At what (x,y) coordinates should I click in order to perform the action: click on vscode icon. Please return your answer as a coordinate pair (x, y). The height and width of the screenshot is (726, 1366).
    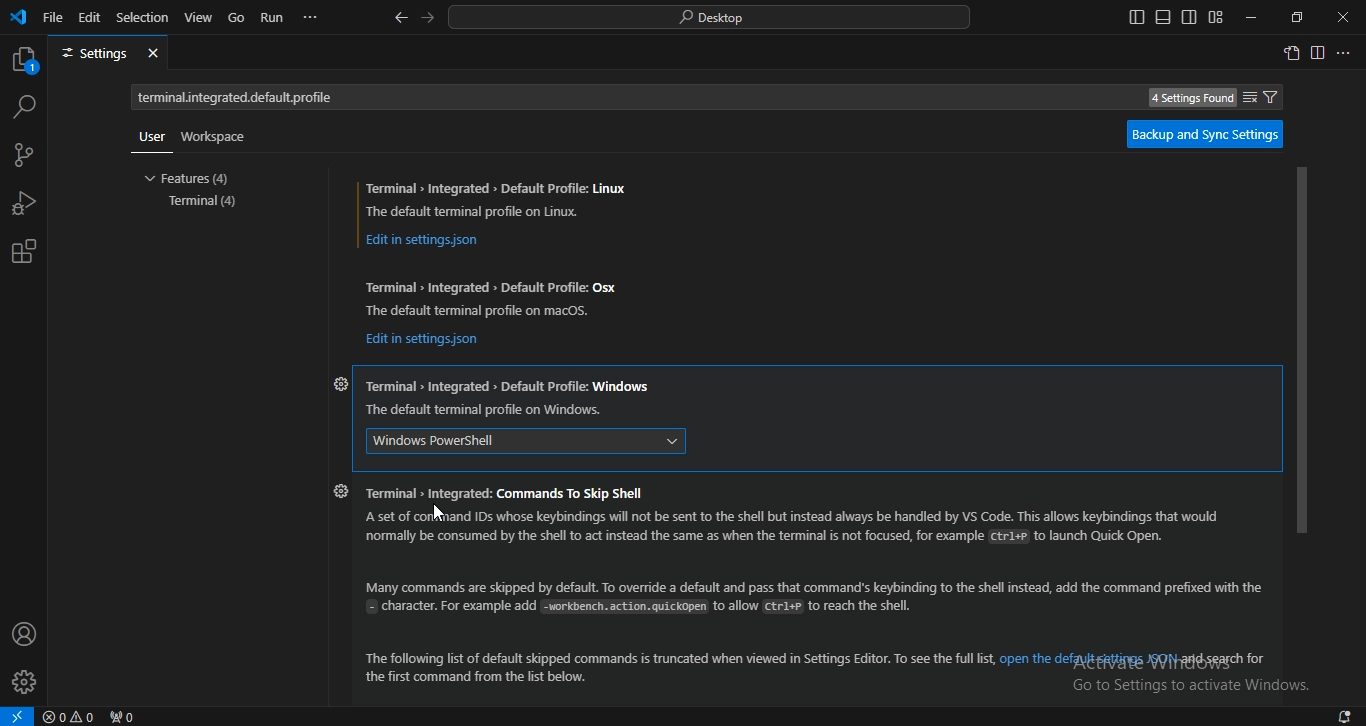
    Looking at the image, I should click on (18, 18).